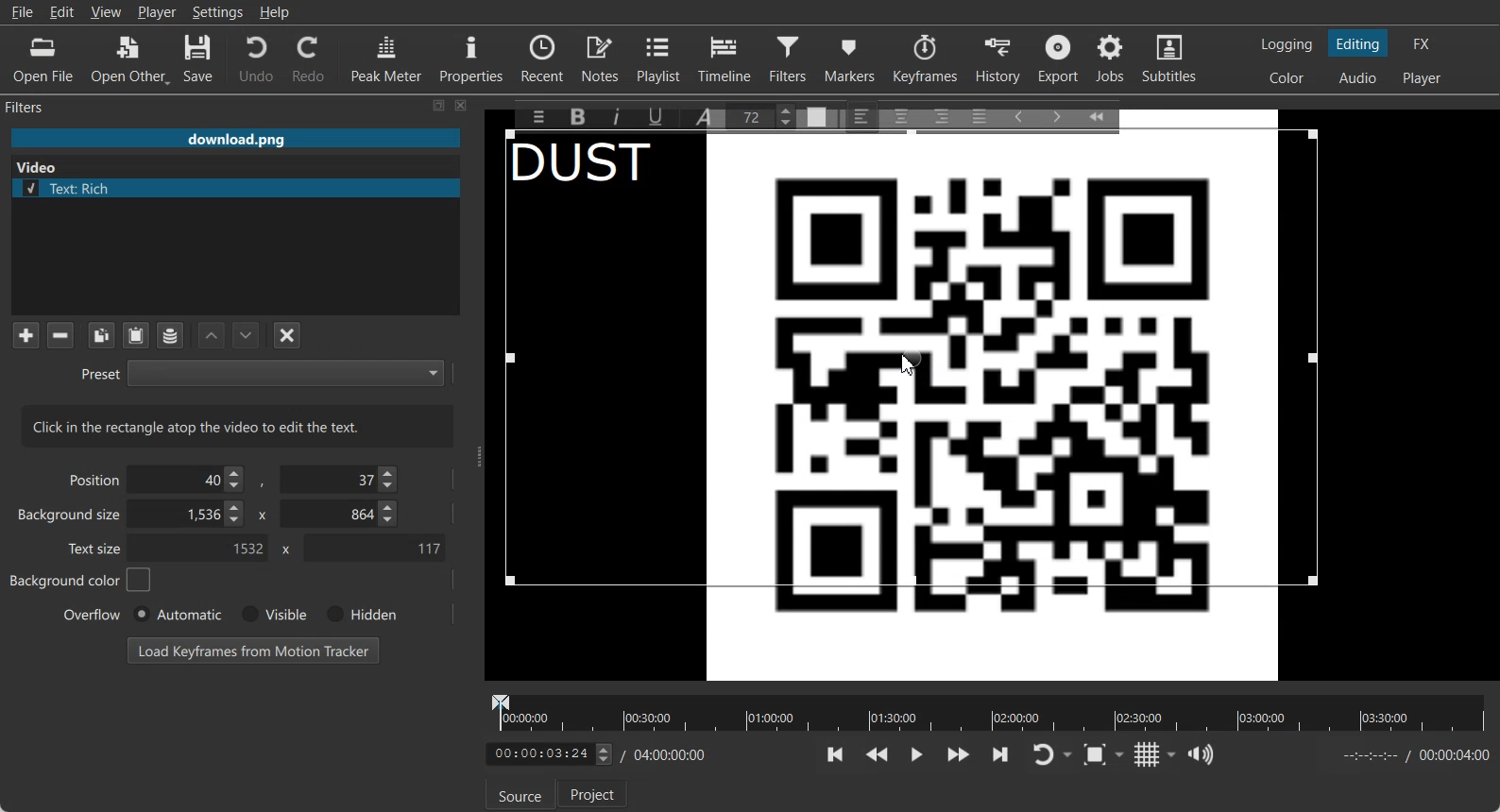 Image resolution: width=1500 pixels, height=812 pixels. I want to click on Player, so click(158, 12).